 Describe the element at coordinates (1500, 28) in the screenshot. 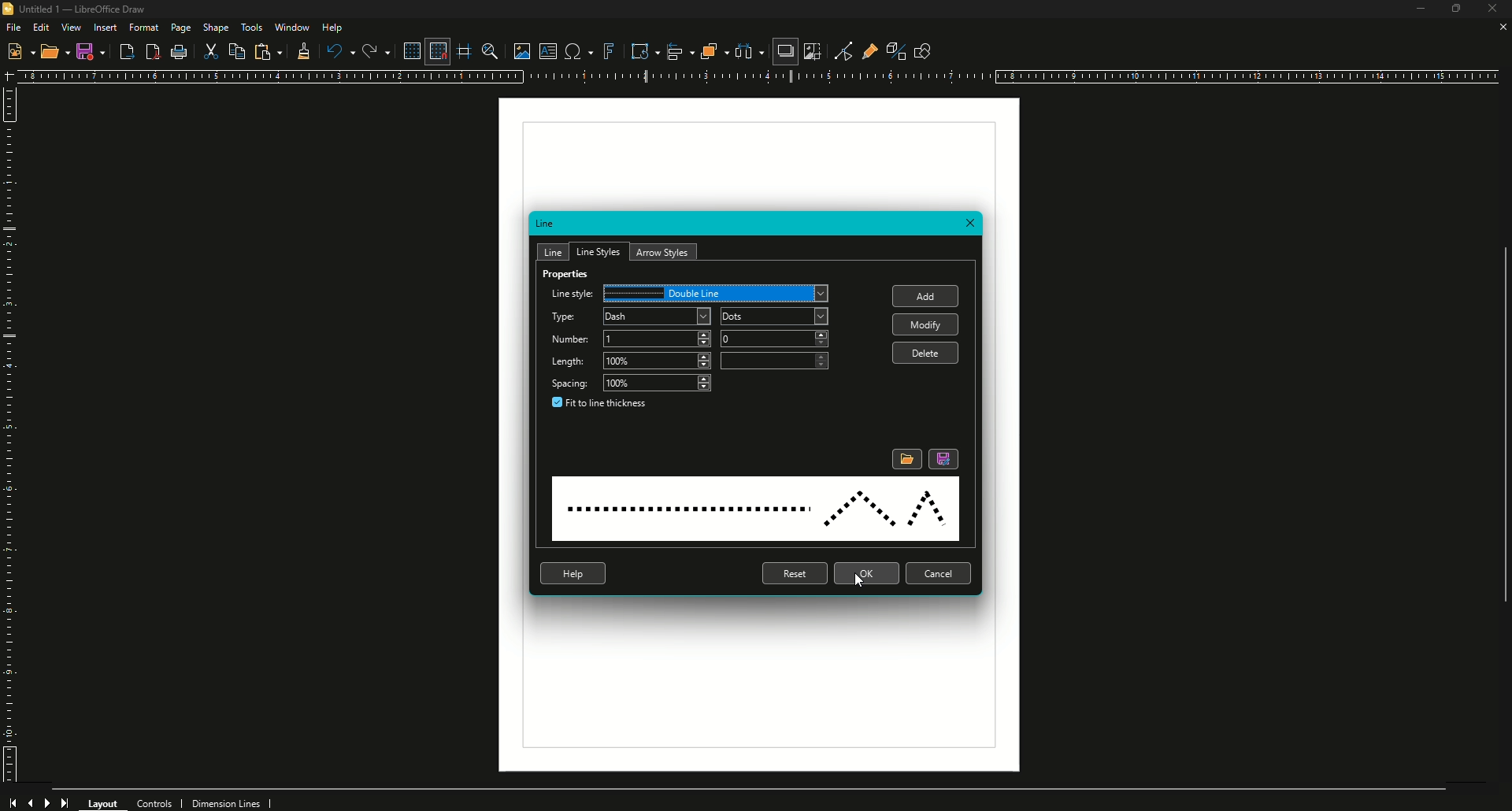

I see `Close Sheet` at that location.